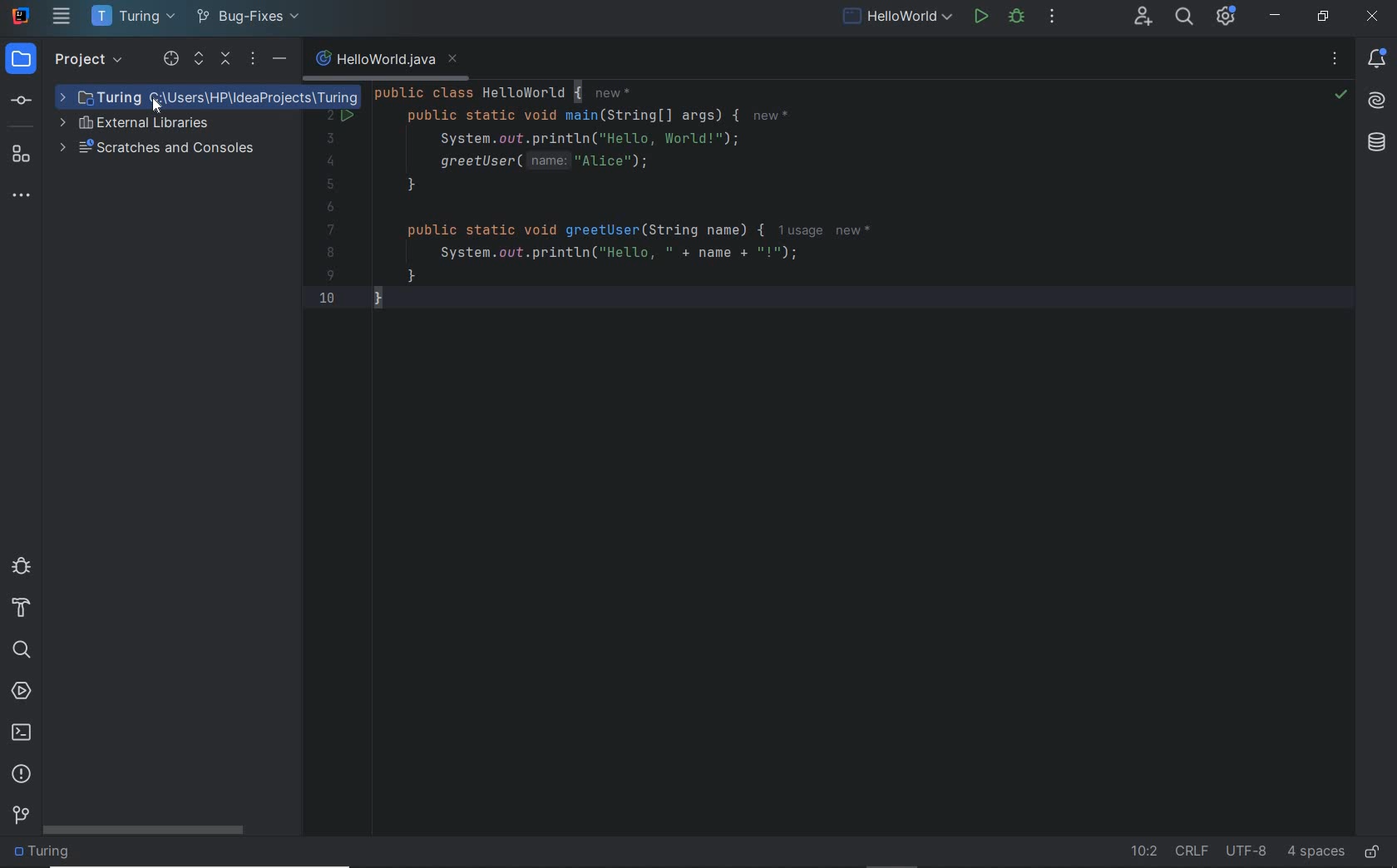  Describe the element at coordinates (208, 97) in the screenshot. I see `selected folder` at that location.